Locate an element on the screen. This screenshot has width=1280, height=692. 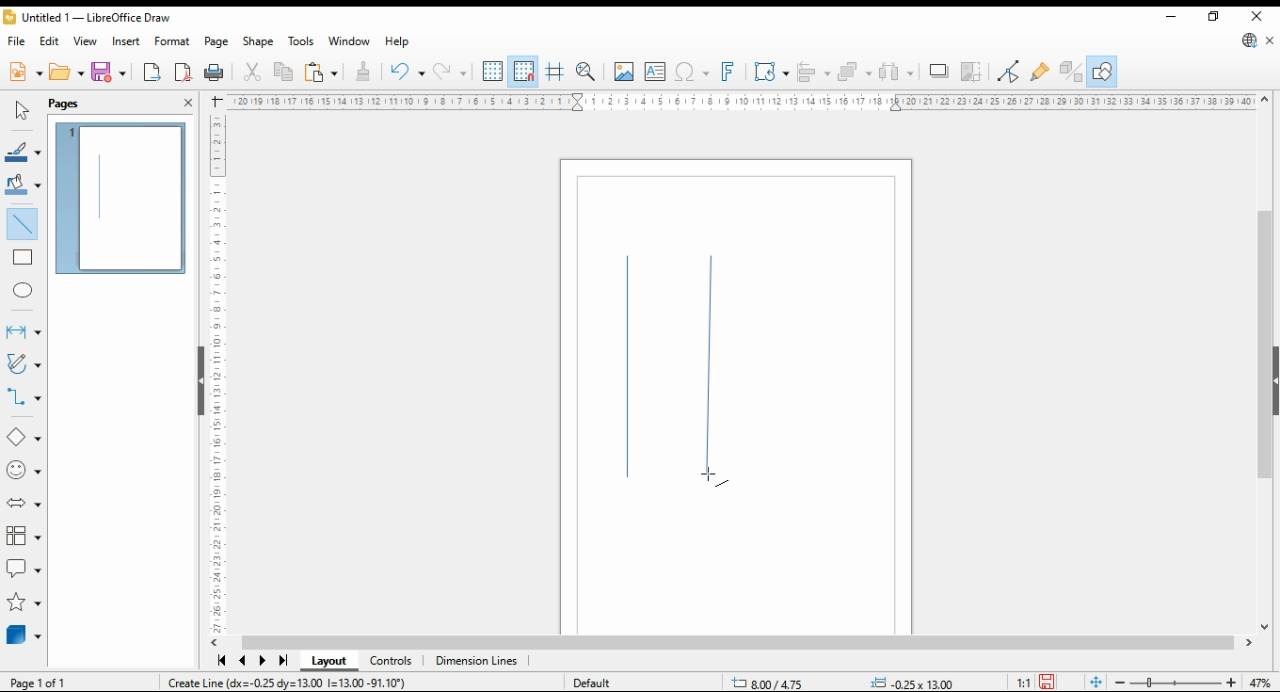
0.00x0.00 is located at coordinates (915, 682).